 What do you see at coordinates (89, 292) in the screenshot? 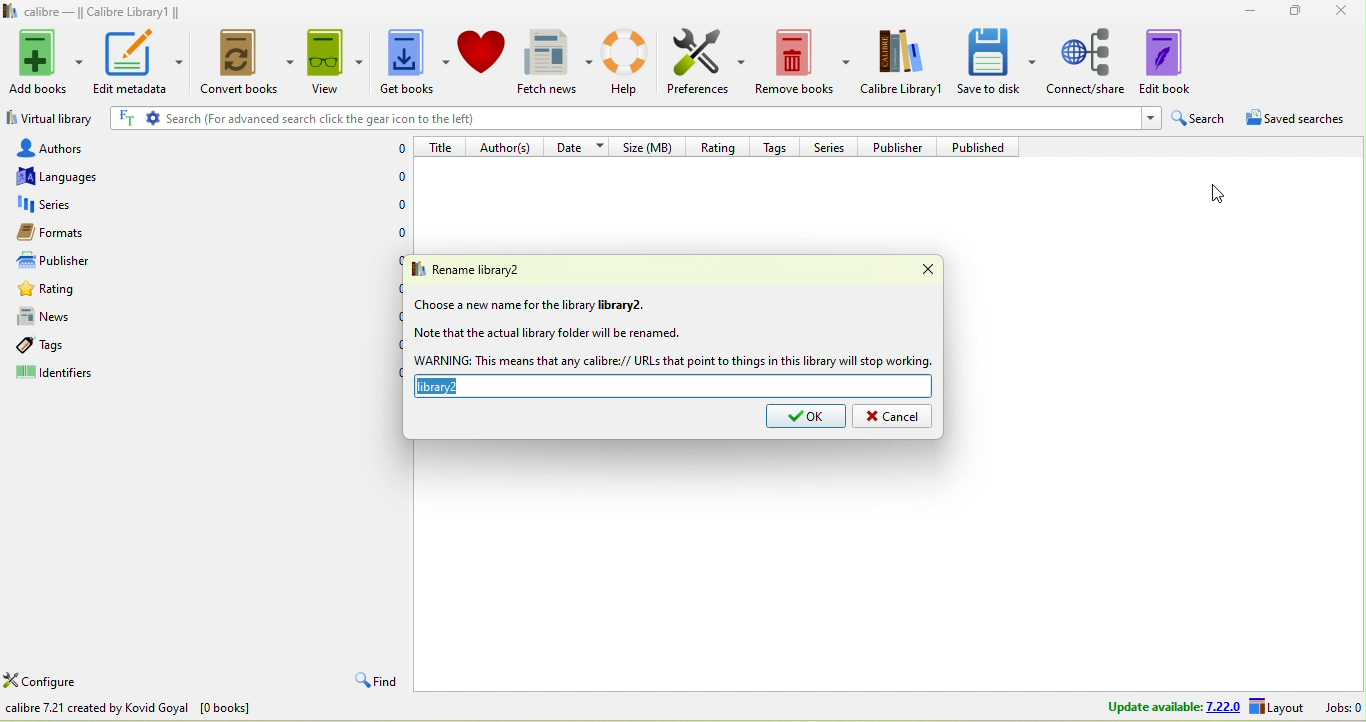
I see `rating` at bounding box center [89, 292].